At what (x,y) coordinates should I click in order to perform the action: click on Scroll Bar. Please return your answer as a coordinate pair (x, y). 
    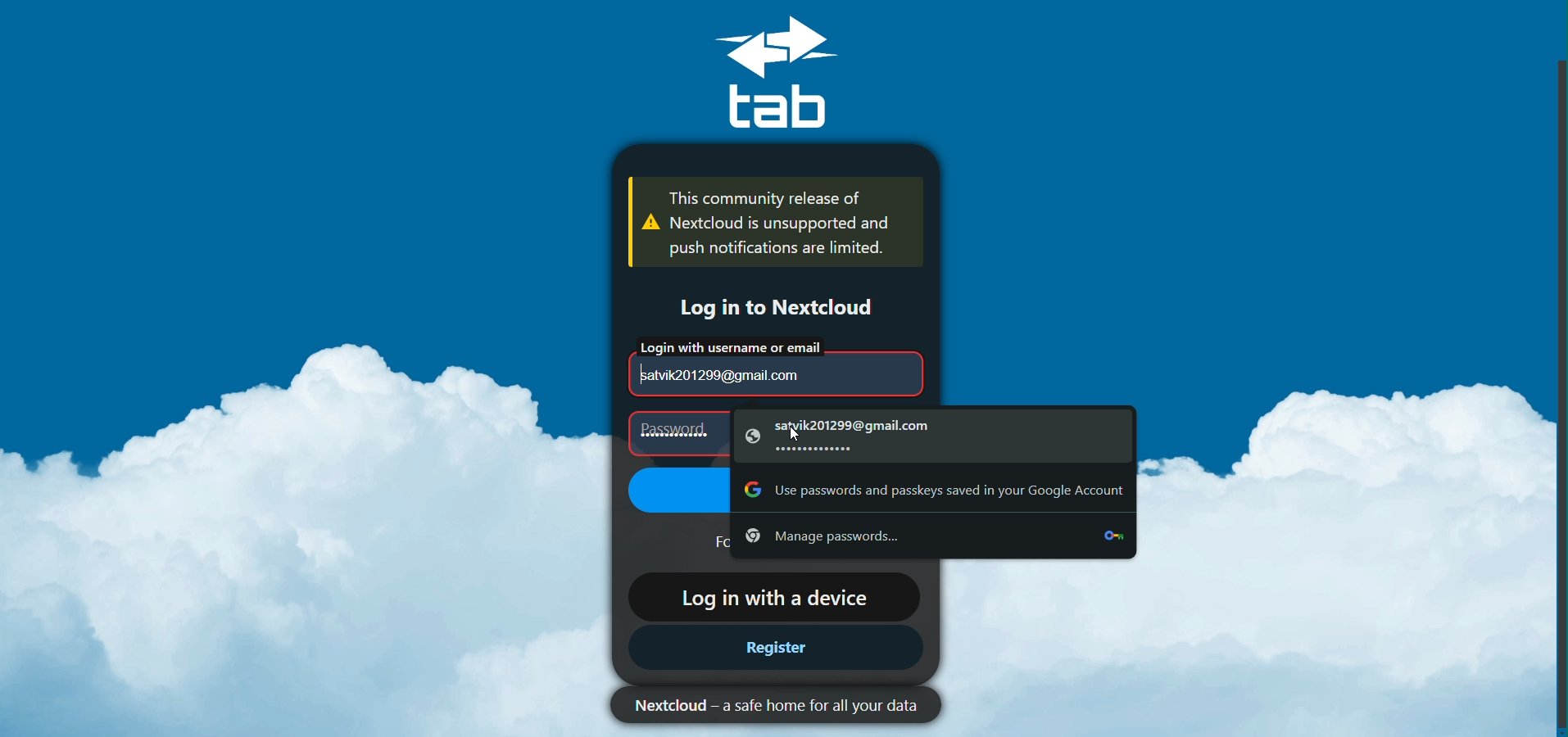
    Looking at the image, I should click on (1553, 392).